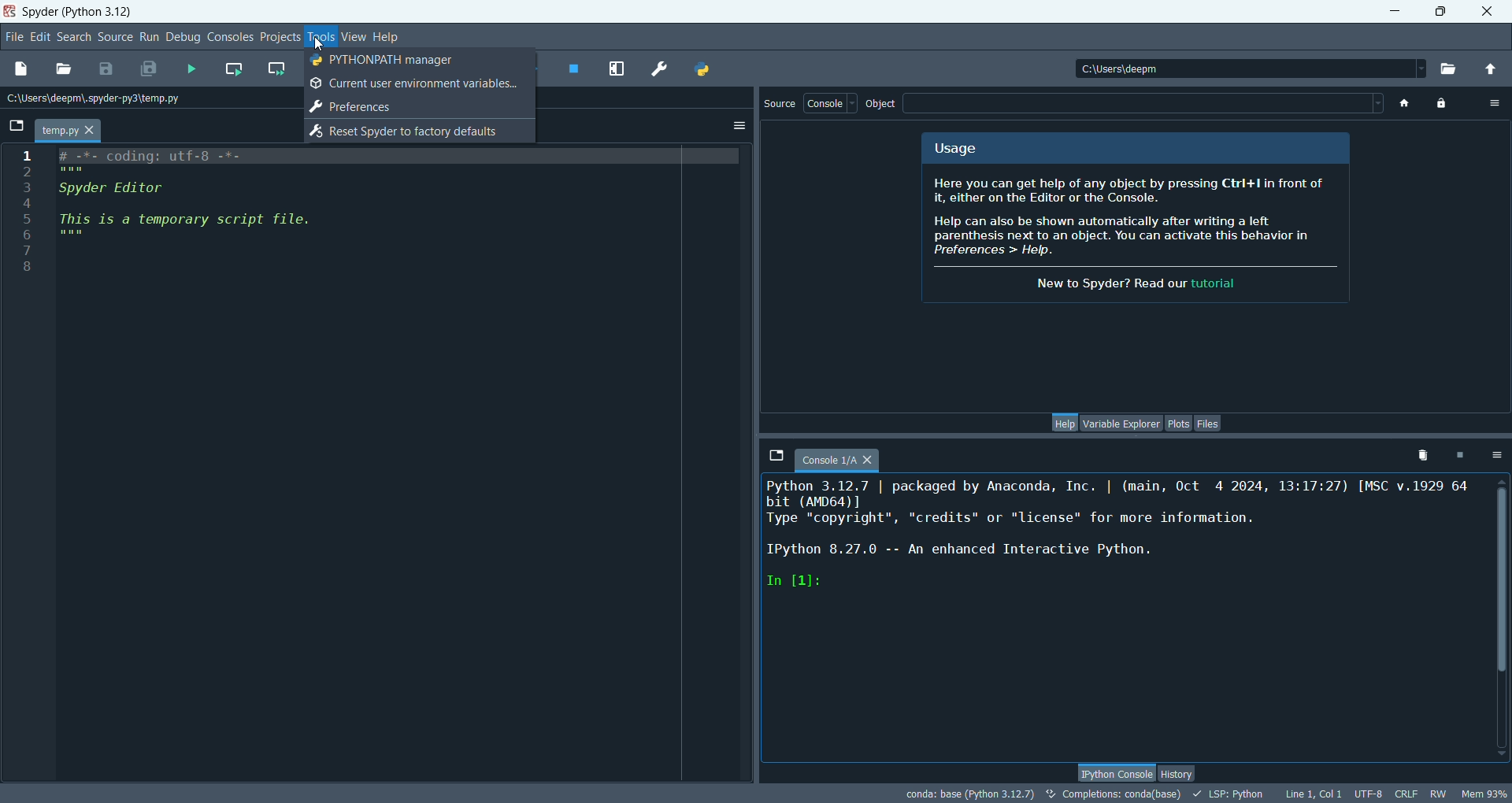 The width and height of the screenshot is (1512, 803). What do you see at coordinates (278, 38) in the screenshot?
I see `projects` at bounding box center [278, 38].